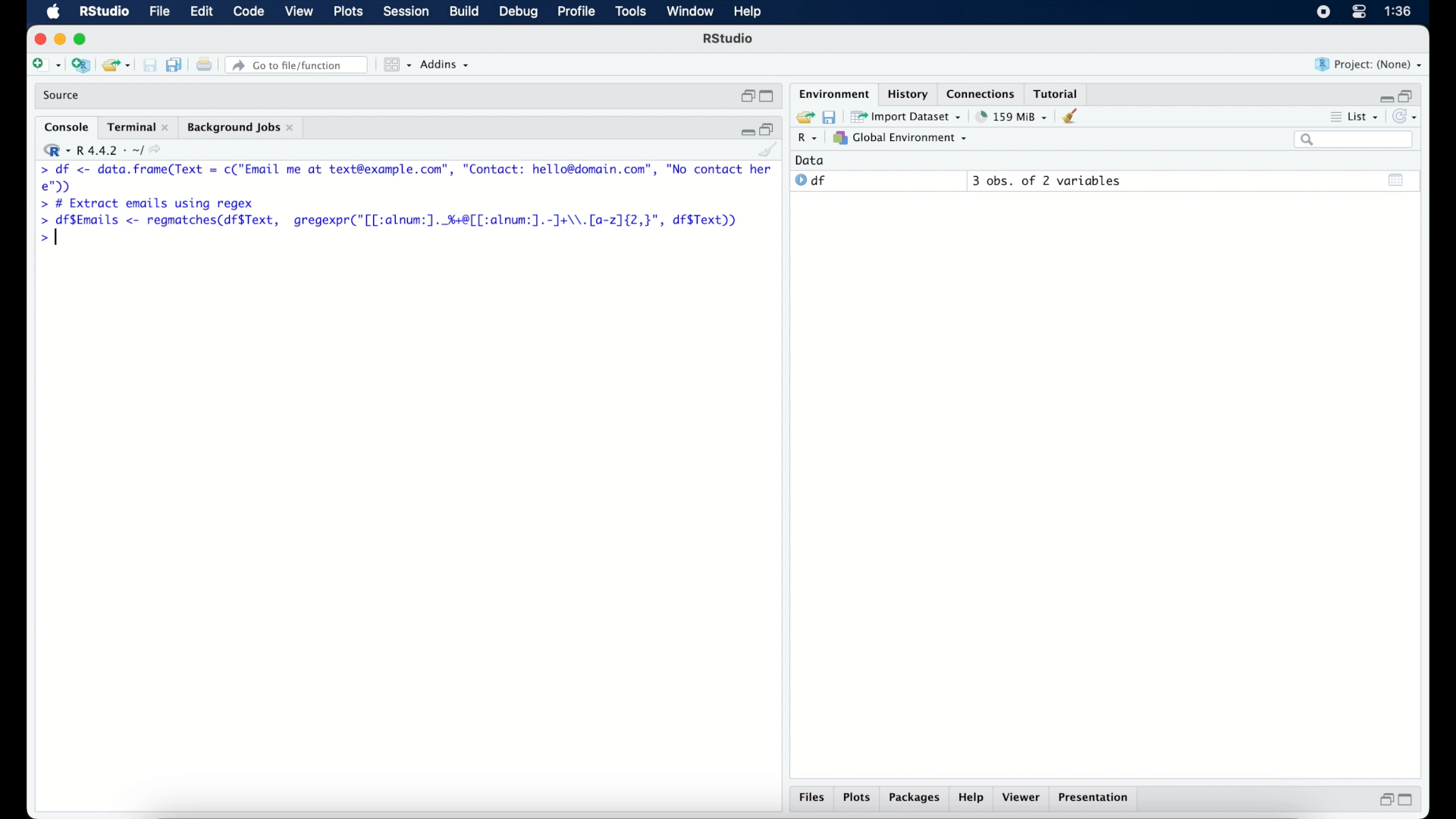 The height and width of the screenshot is (819, 1456). What do you see at coordinates (203, 64) in the screenshot?
I see `print` at bounding box center [203, 64].